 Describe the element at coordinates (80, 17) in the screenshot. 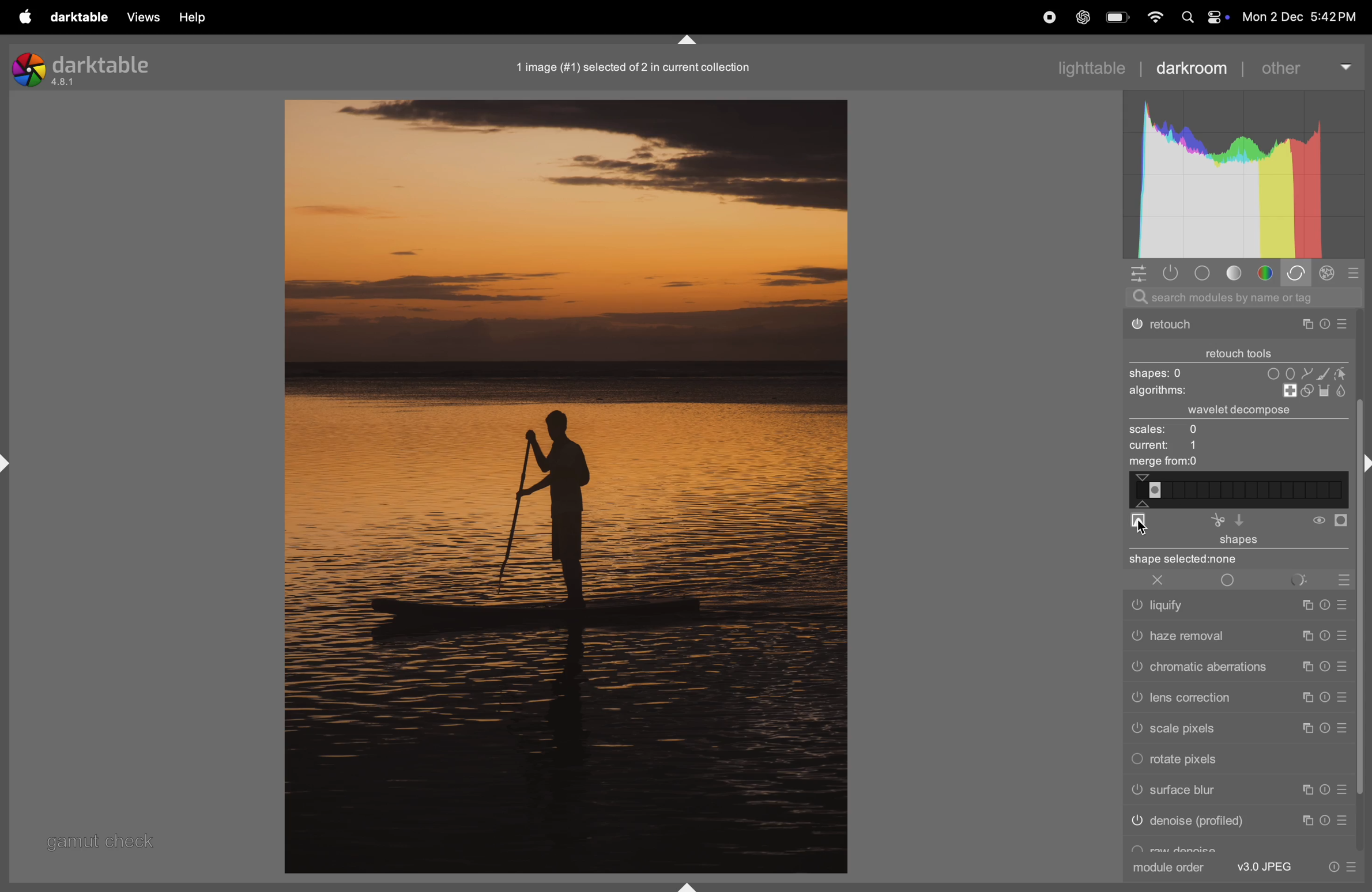

I see `darktable` at that location.